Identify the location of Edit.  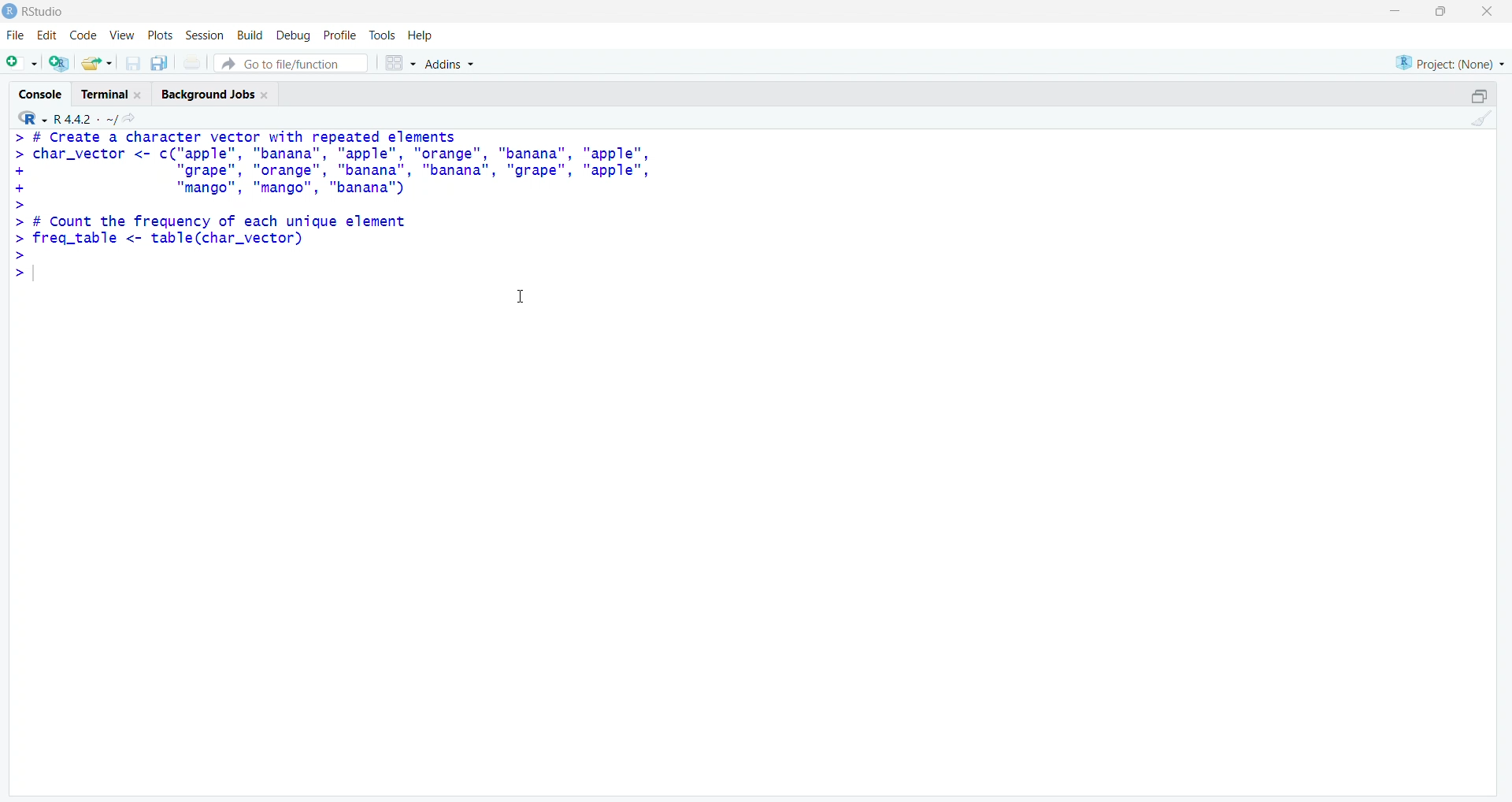
(46, 35).